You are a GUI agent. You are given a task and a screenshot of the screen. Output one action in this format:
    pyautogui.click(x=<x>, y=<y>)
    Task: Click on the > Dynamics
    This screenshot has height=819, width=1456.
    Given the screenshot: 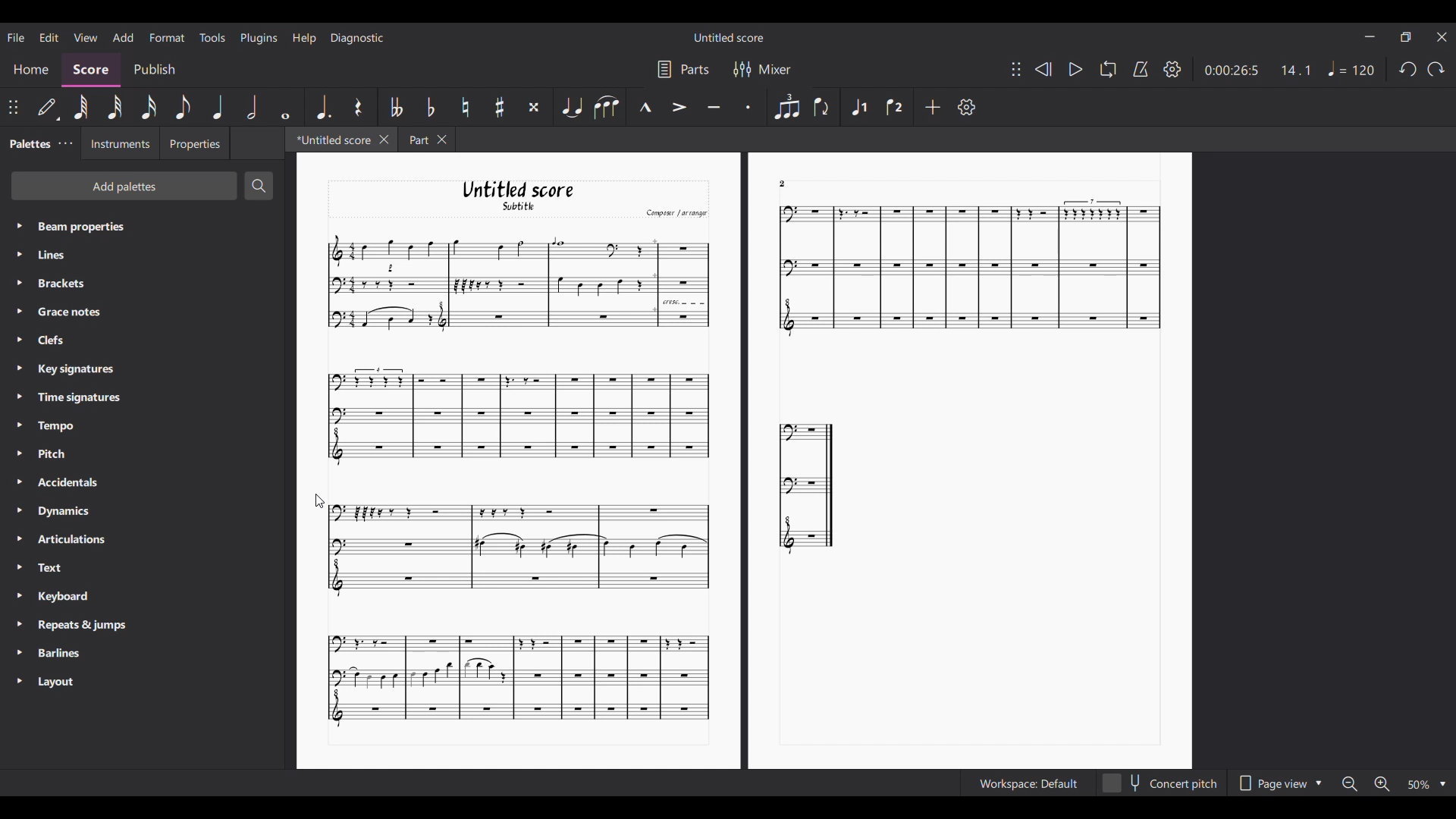 What is the action you would take?
    pyautogui.click(x=61, y=513)
    